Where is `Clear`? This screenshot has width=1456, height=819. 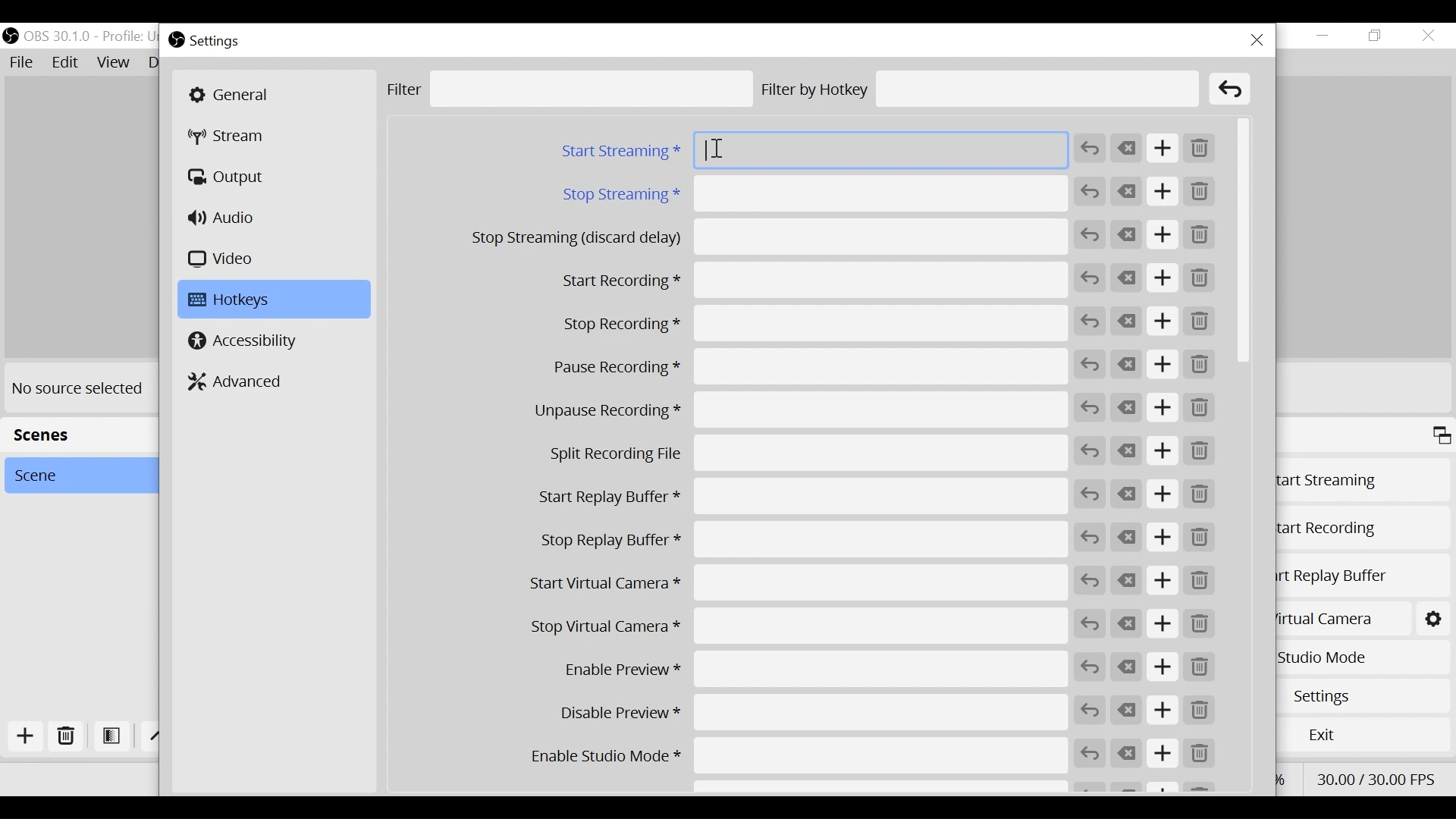 Clear is located at coordinates (1231, 89).